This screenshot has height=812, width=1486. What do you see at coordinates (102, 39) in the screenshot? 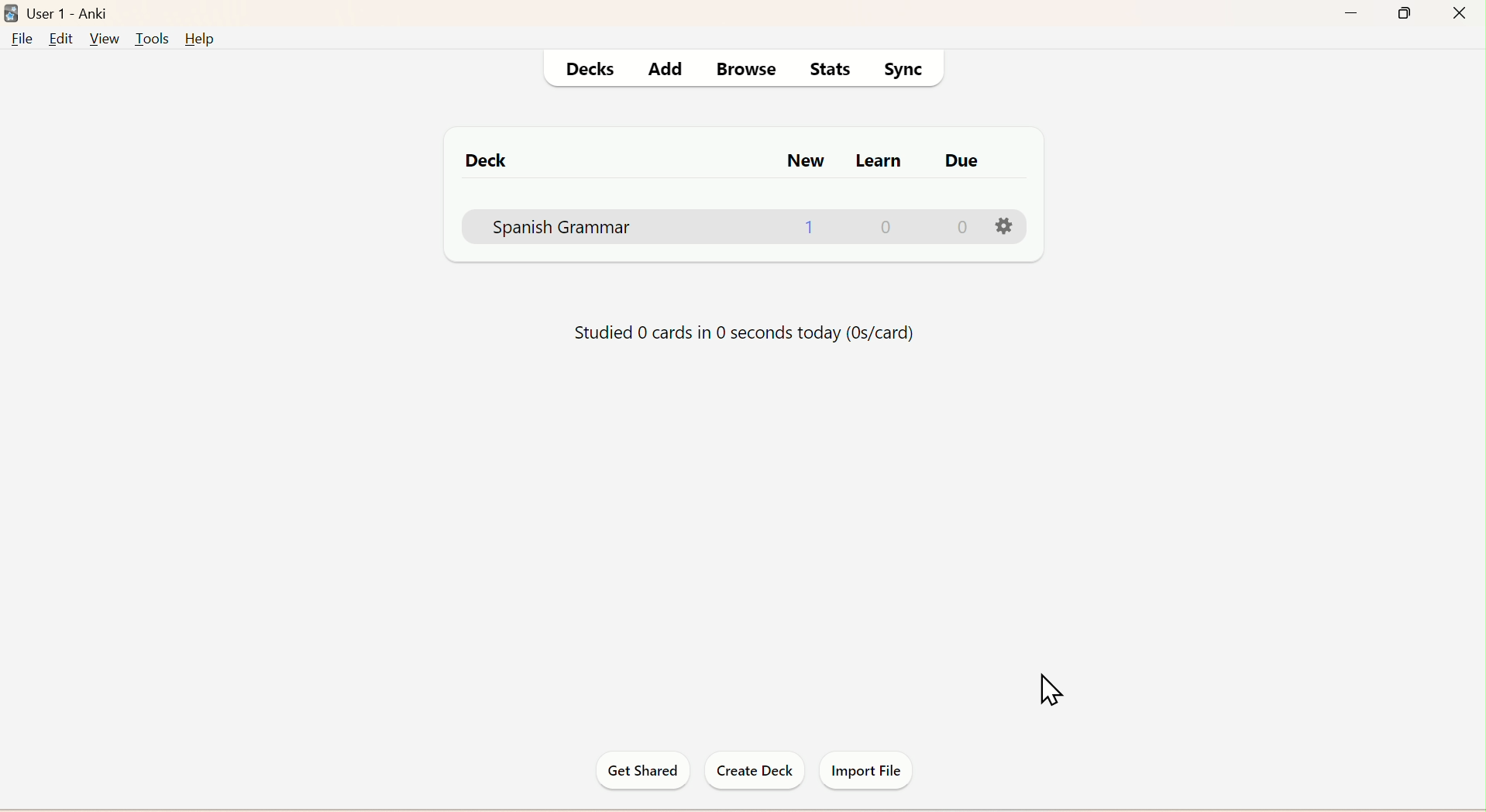
I see `View` at bounding box center [102, 39].